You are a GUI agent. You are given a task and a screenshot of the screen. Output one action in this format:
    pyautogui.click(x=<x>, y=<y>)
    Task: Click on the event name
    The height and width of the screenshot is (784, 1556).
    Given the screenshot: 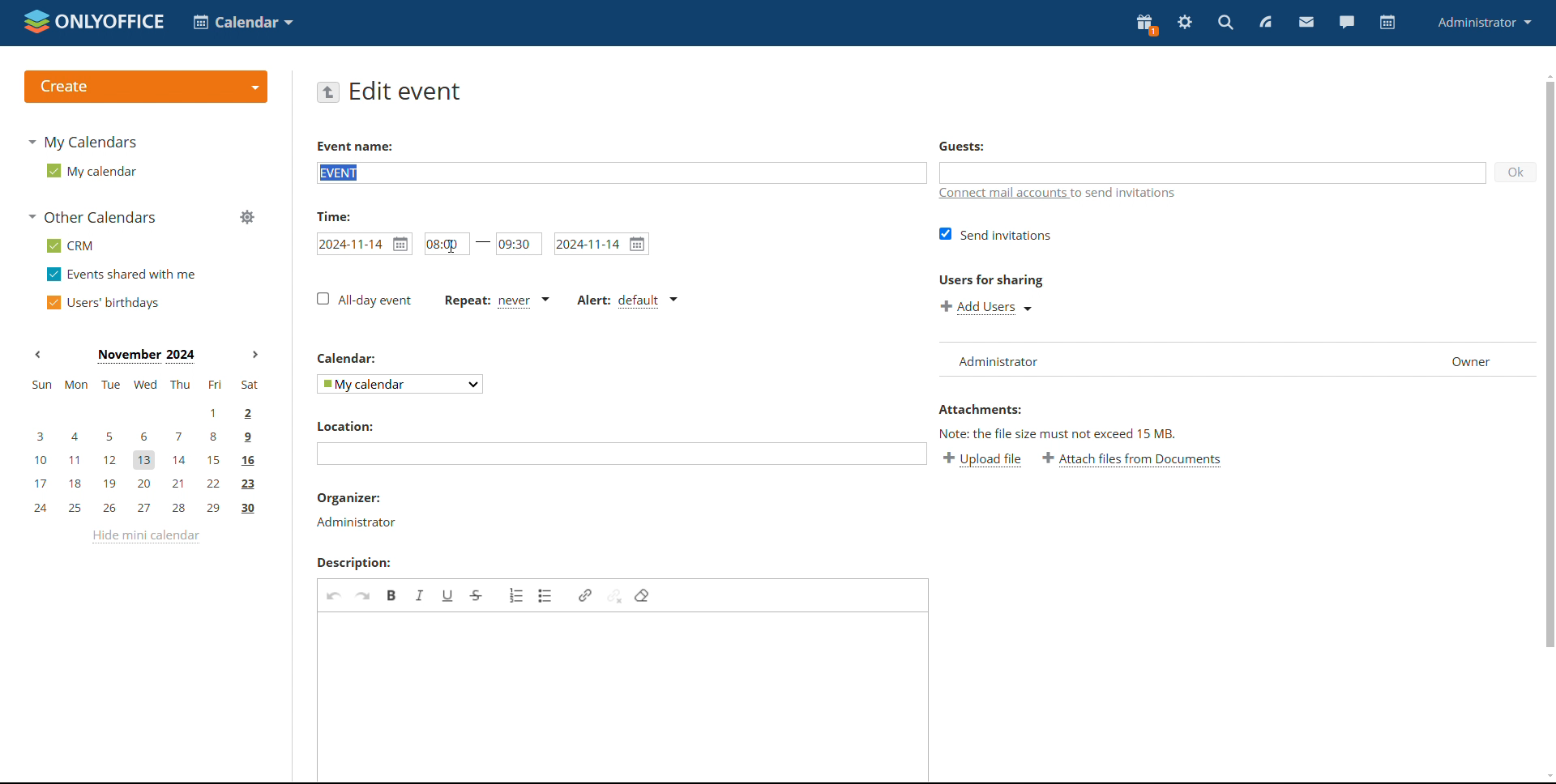 What is the action you would take?
    pyautogui.click(x=620, y=172)
    